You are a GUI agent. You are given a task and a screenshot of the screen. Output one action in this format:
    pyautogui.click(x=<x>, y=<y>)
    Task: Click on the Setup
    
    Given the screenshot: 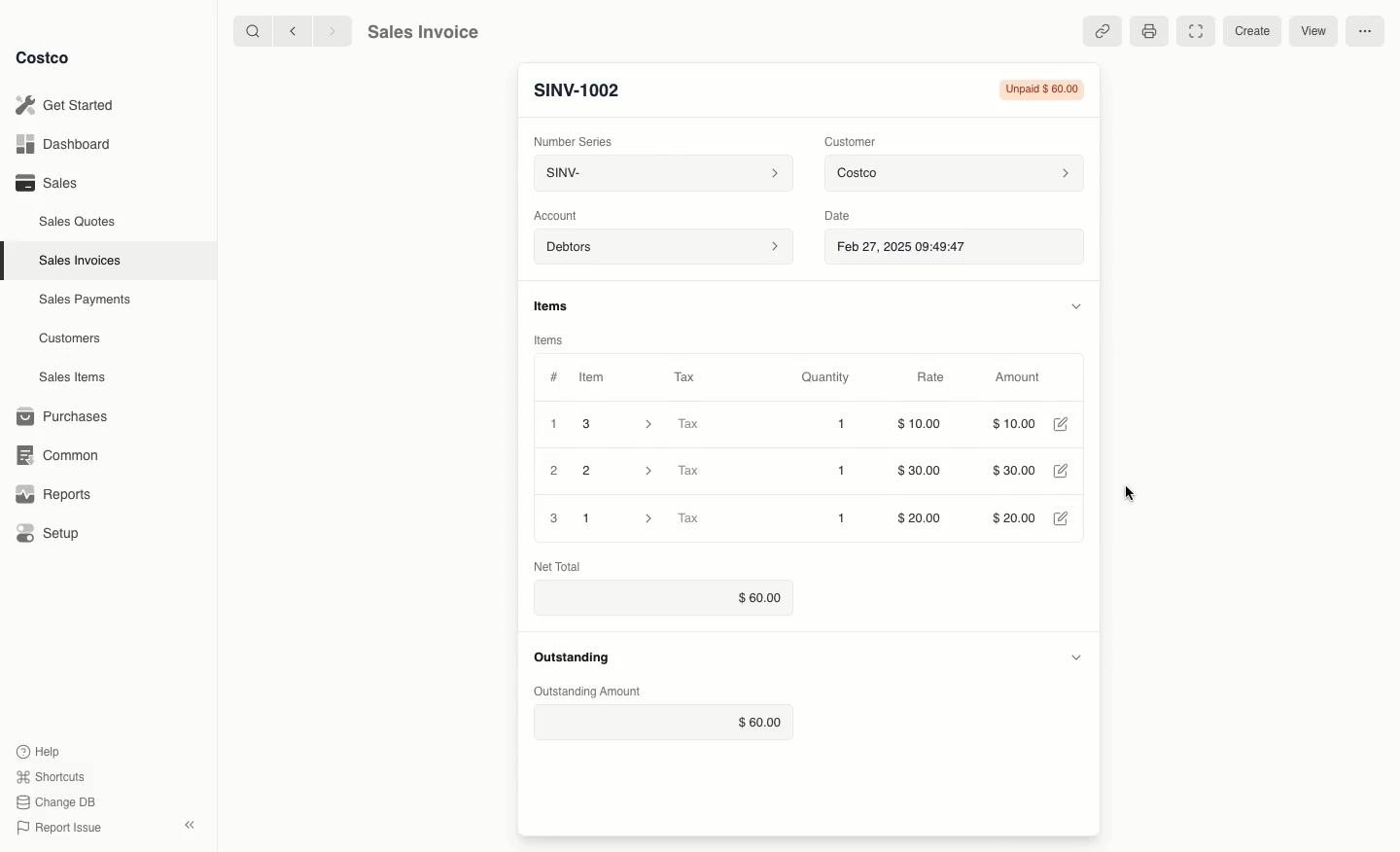 What is the action you would take?
    pyautogui.click(x=50, y=535)
    